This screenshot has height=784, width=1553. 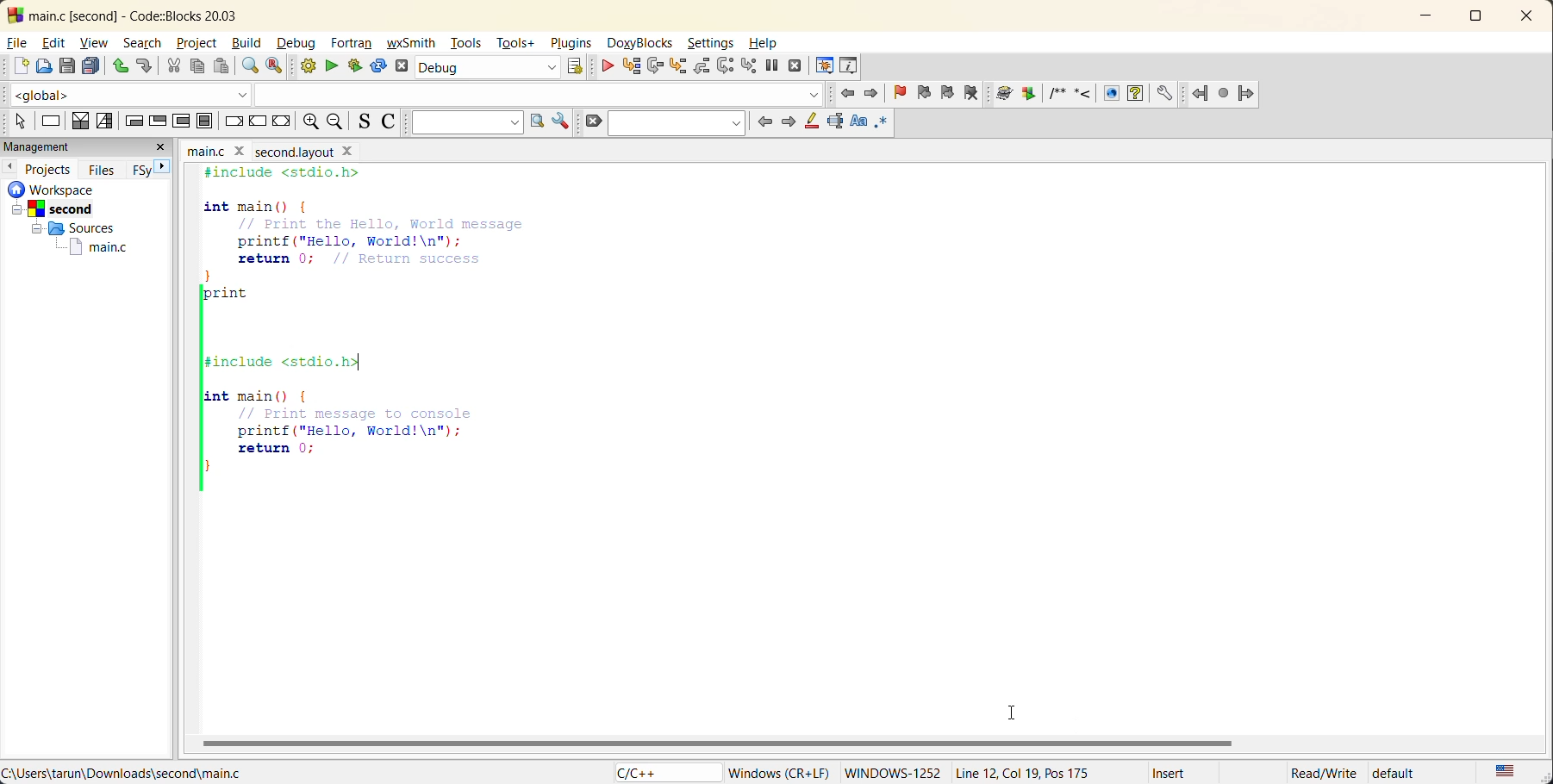 What do you see at coordinates (770, 65) in the screenshot?
I see `break debugger` at bounding box center [770, 65].